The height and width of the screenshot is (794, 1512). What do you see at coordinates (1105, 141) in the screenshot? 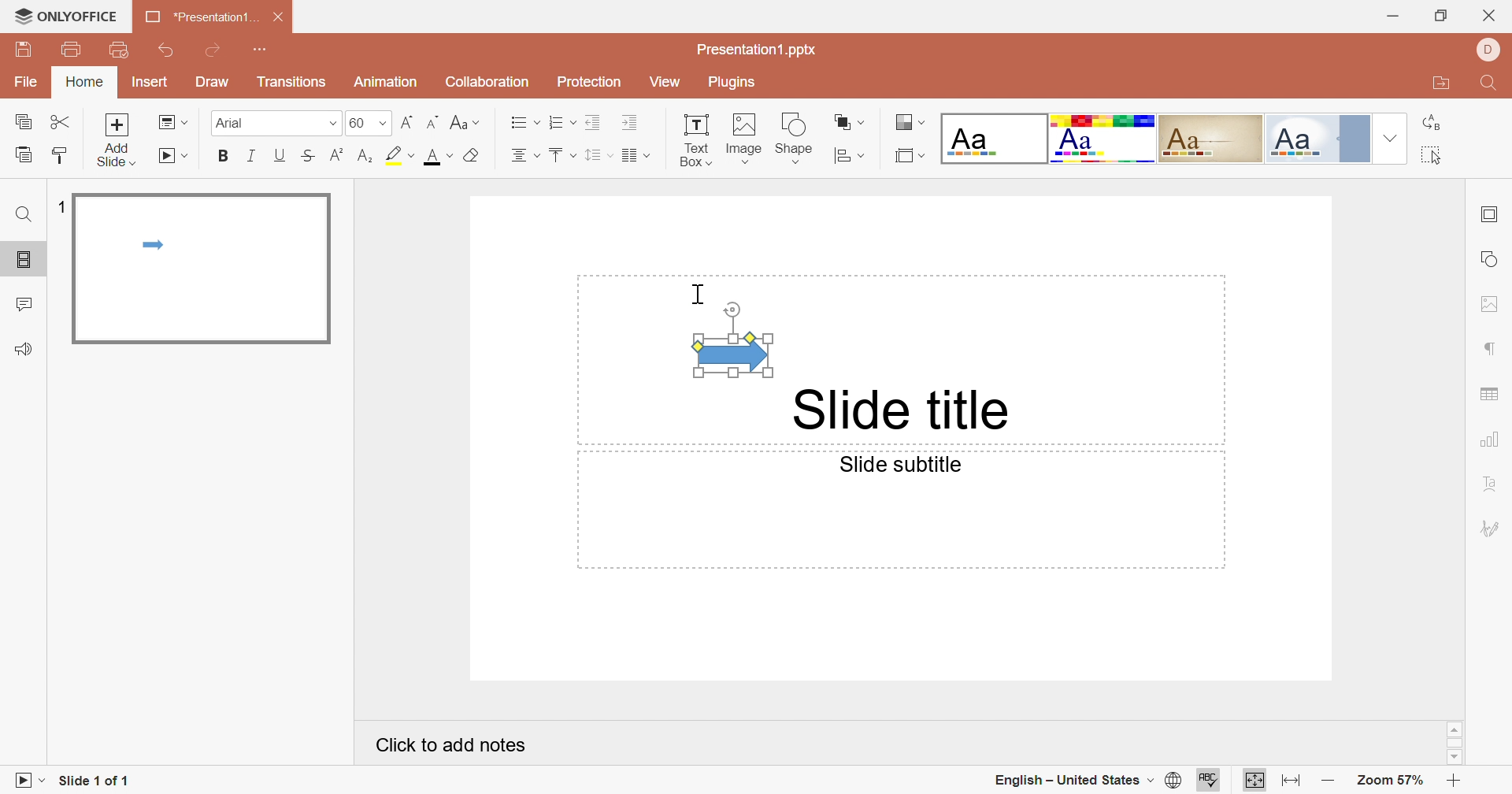
I see `Basic` at bounding box center [1105, 141].